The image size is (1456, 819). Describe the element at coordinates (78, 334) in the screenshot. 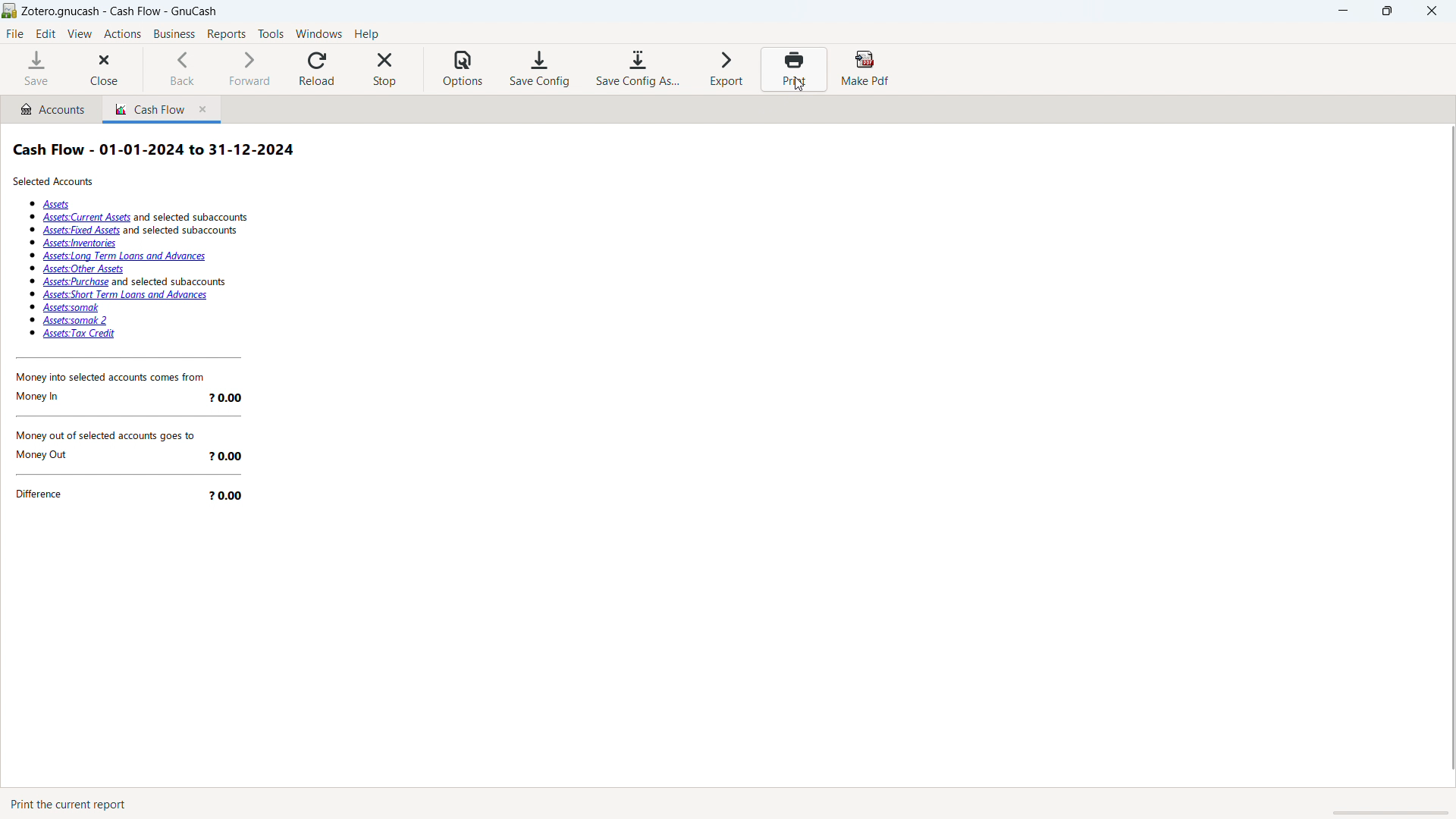

I see `Assets: tax credit` at that location.